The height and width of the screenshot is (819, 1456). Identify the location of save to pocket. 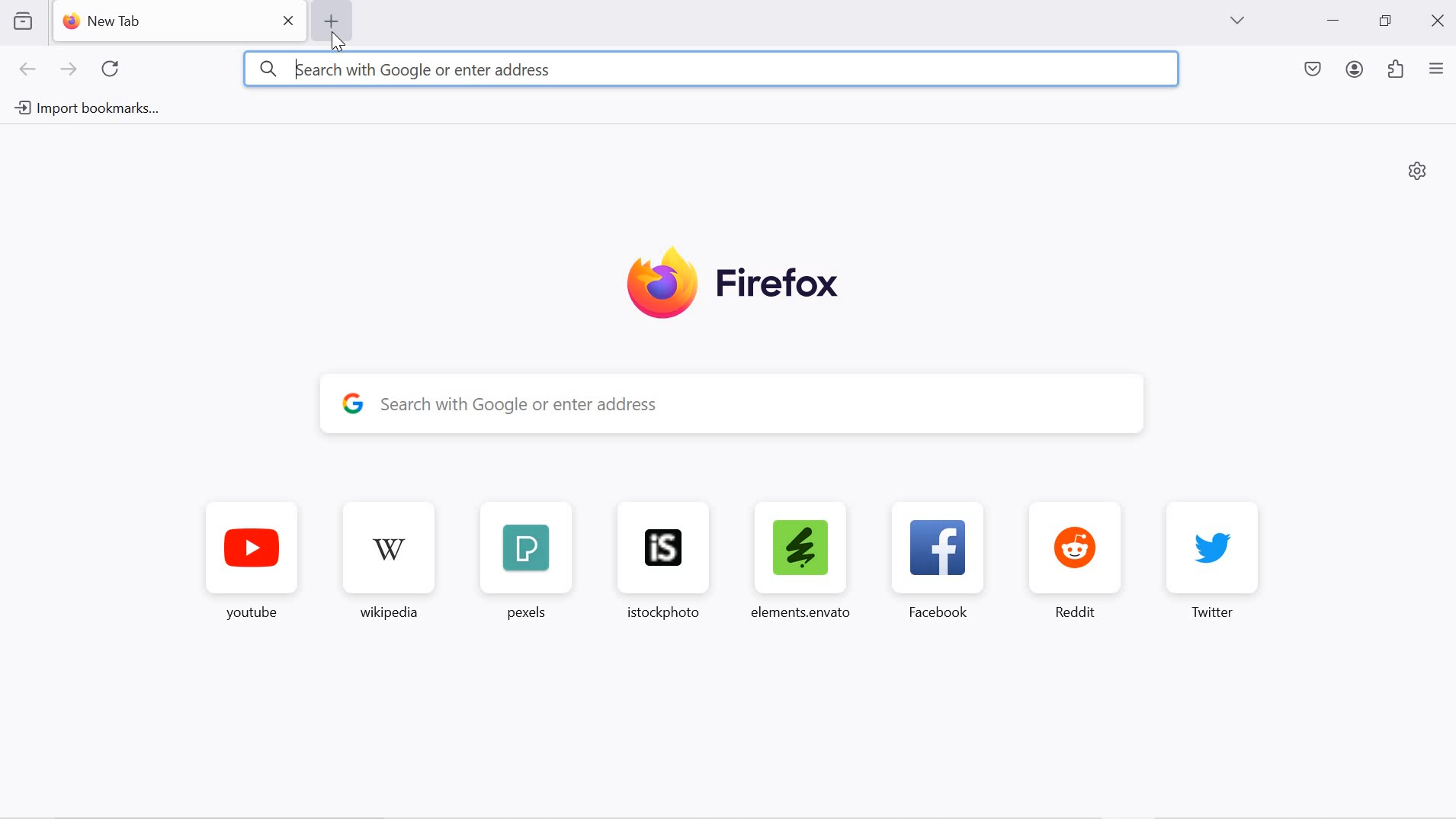
(1314, 71).